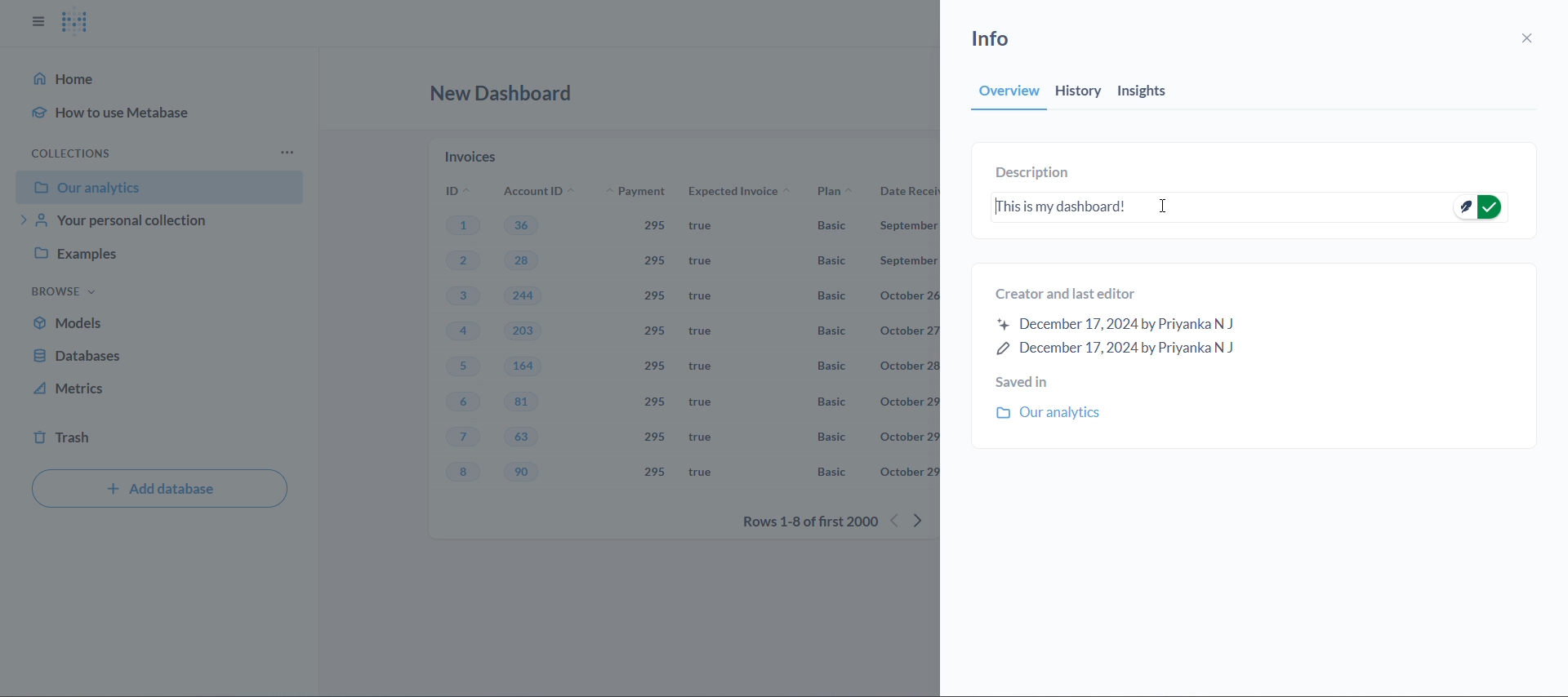 The height and width of the screenshot is (697, 1568). What do you see at coordinates (468, 474) in the screenshot?
I see `8` at bounding box center [468, 474].